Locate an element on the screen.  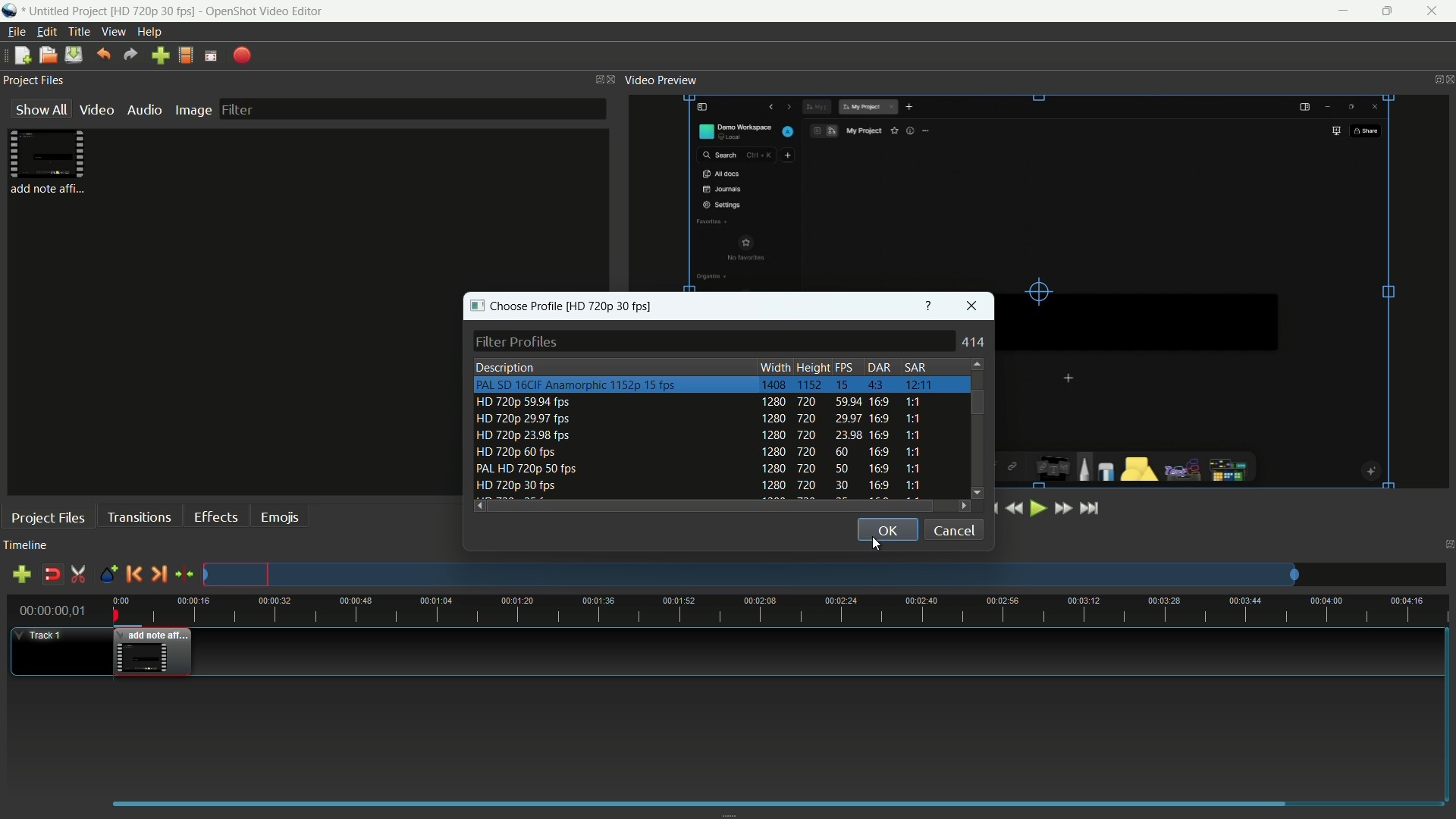
audio is located at coordinates (143, 111).